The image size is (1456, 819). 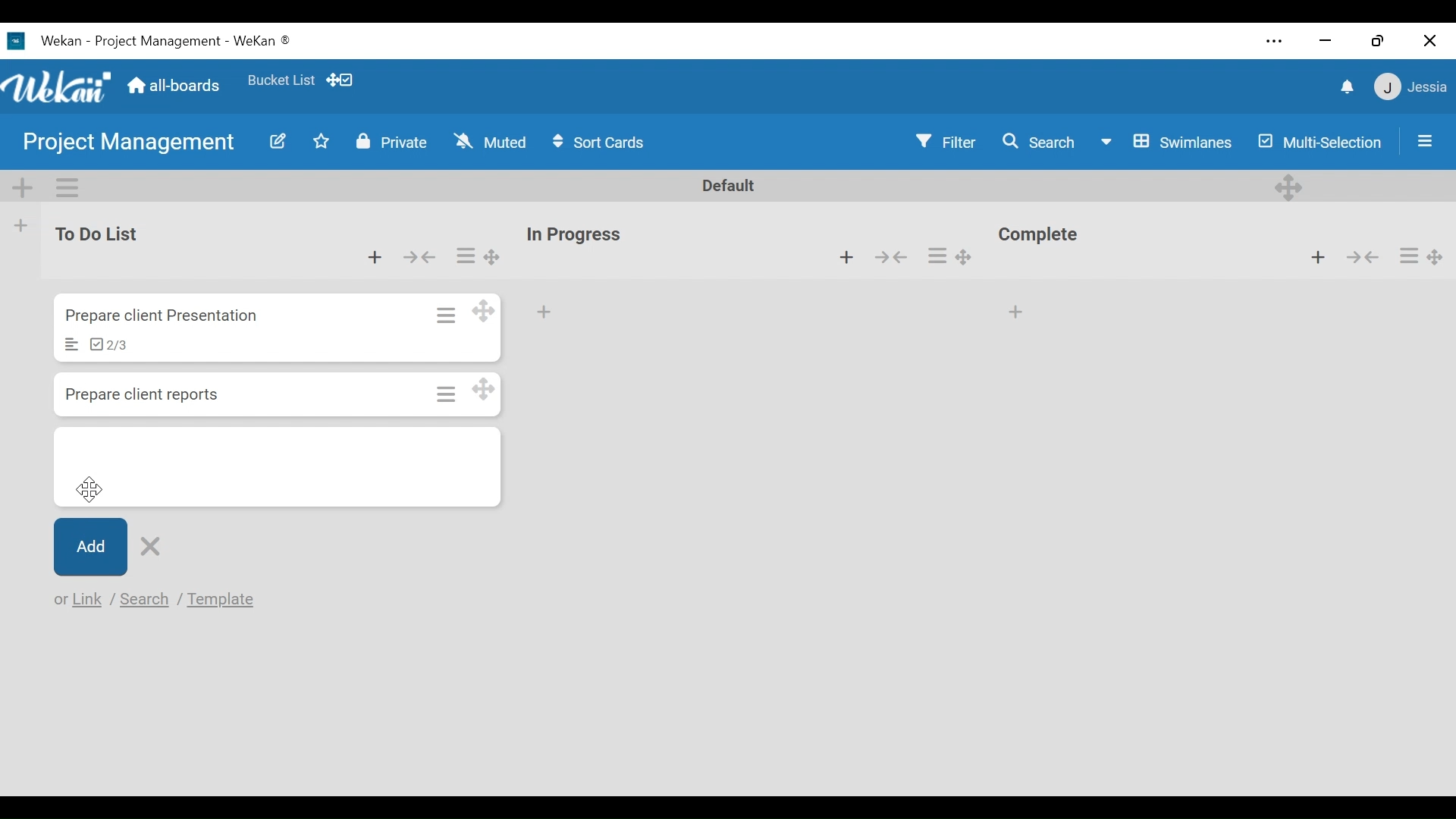 I want to click on Collapse , so click(x=1362, y=257).